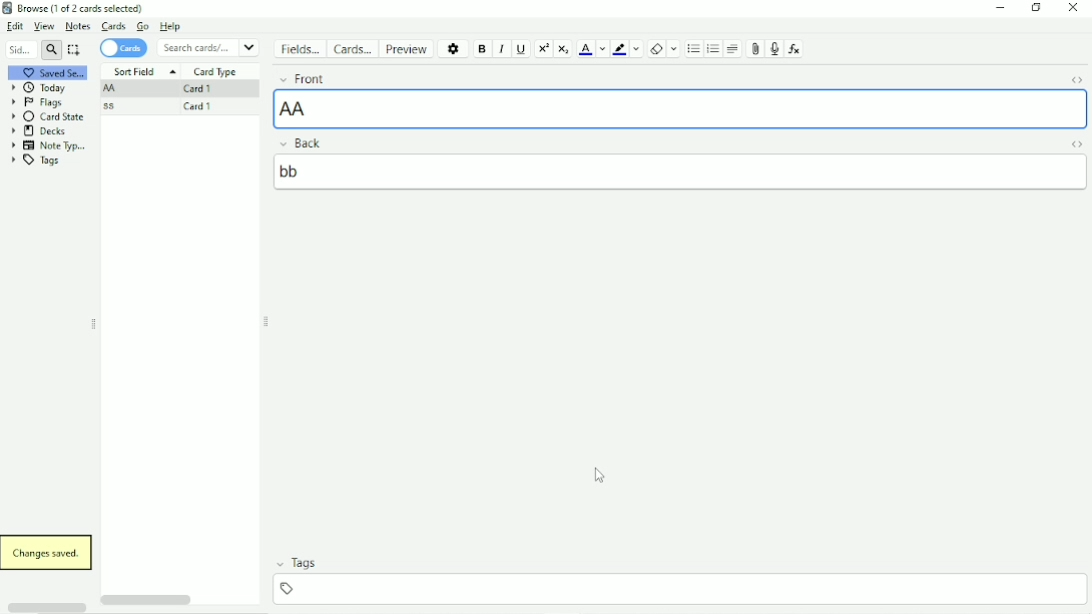  What do you see at coordinates (144, 27) in the screenshot?
I see `Go` at bounding box center [144, 27].